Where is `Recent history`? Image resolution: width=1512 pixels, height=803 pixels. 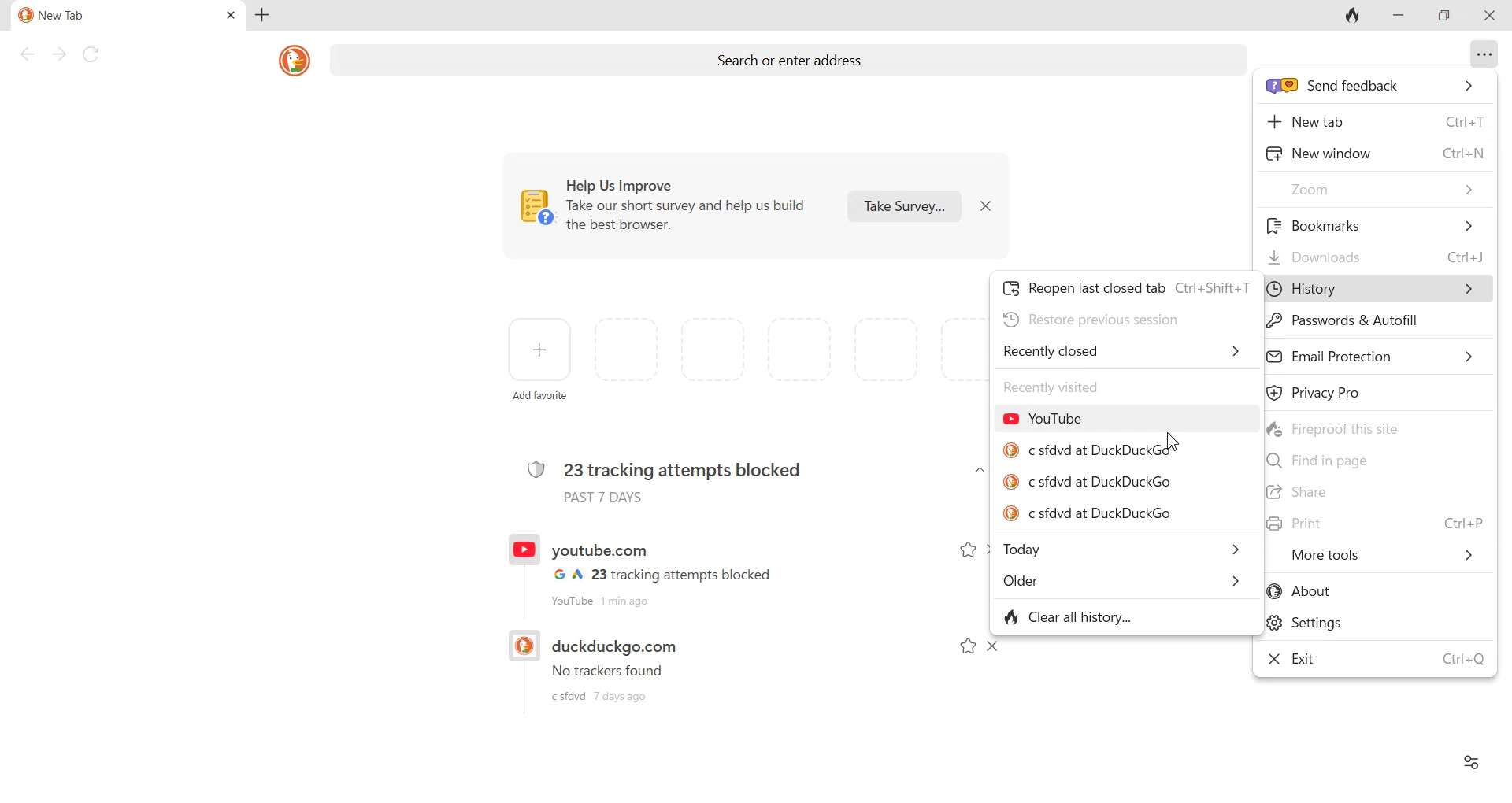 Recent history is located at coordinates (660, 665).